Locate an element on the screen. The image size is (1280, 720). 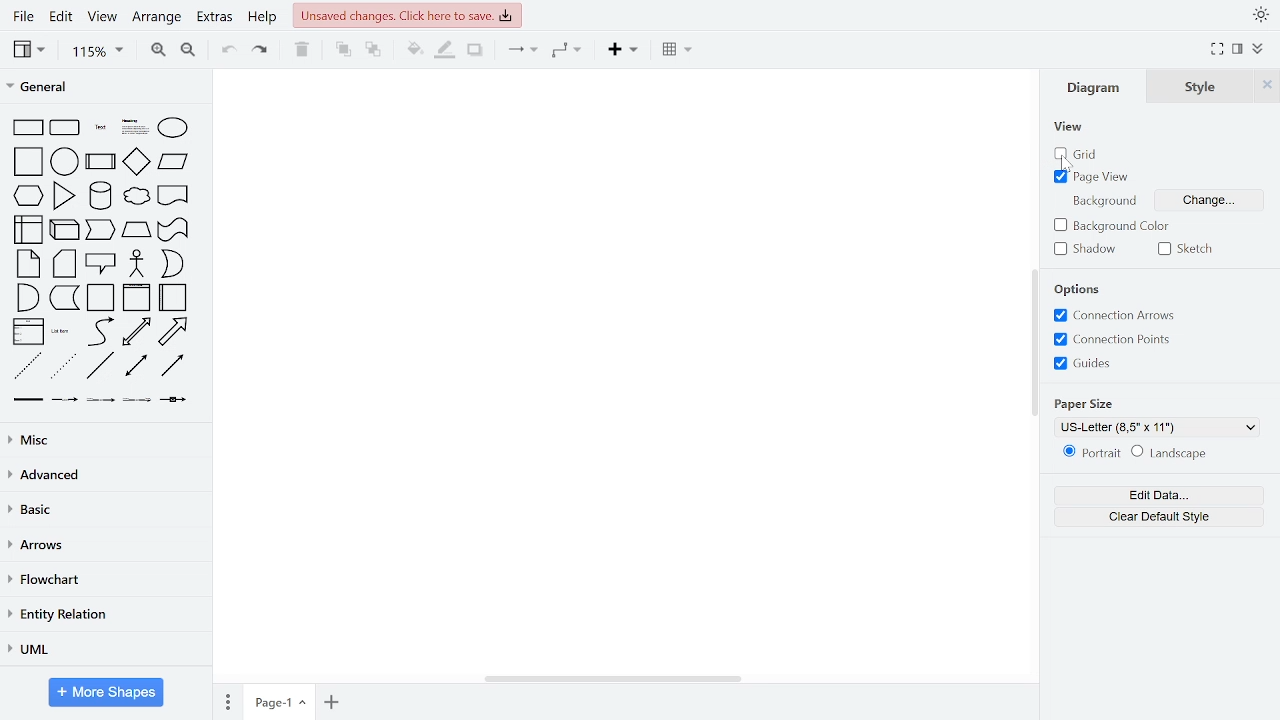
vertical container is located at coordinates (137, 298).